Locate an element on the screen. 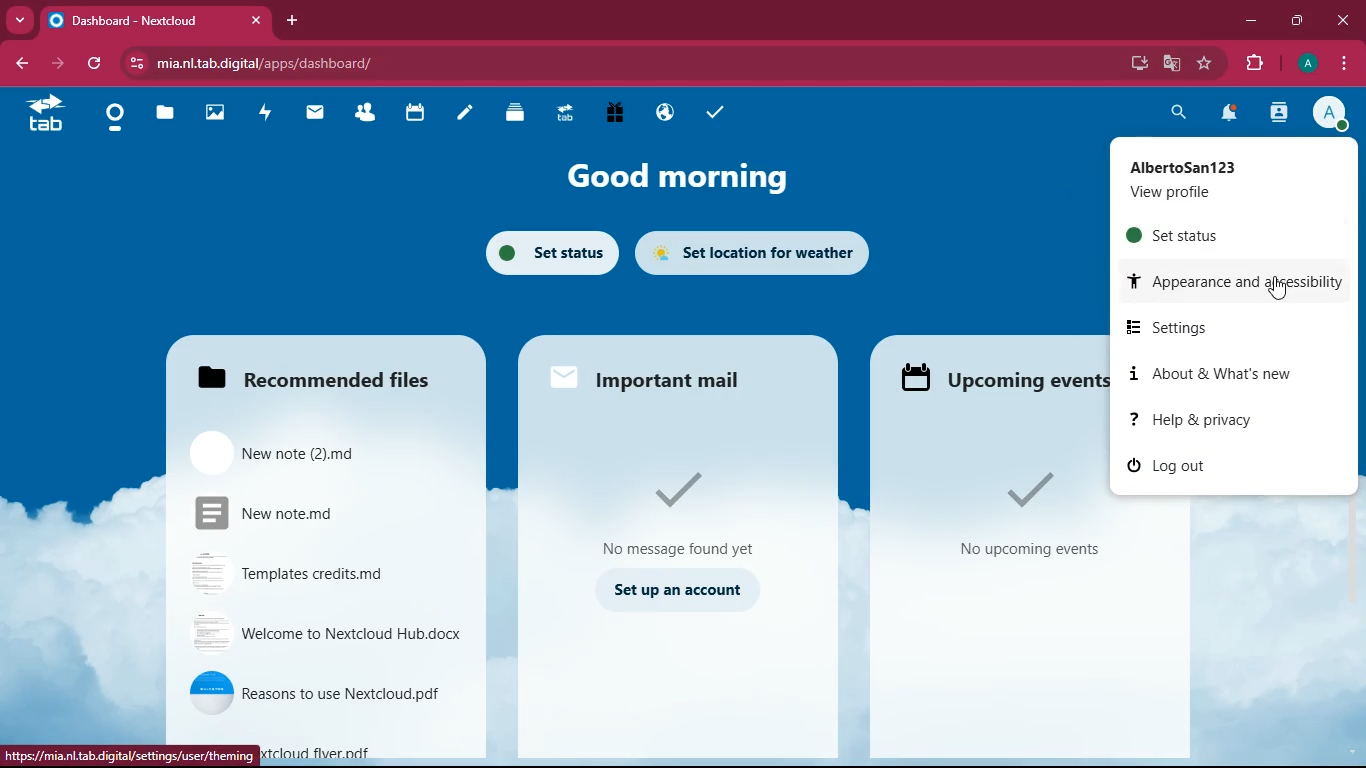  good morning is located at coordinates (693, 178).